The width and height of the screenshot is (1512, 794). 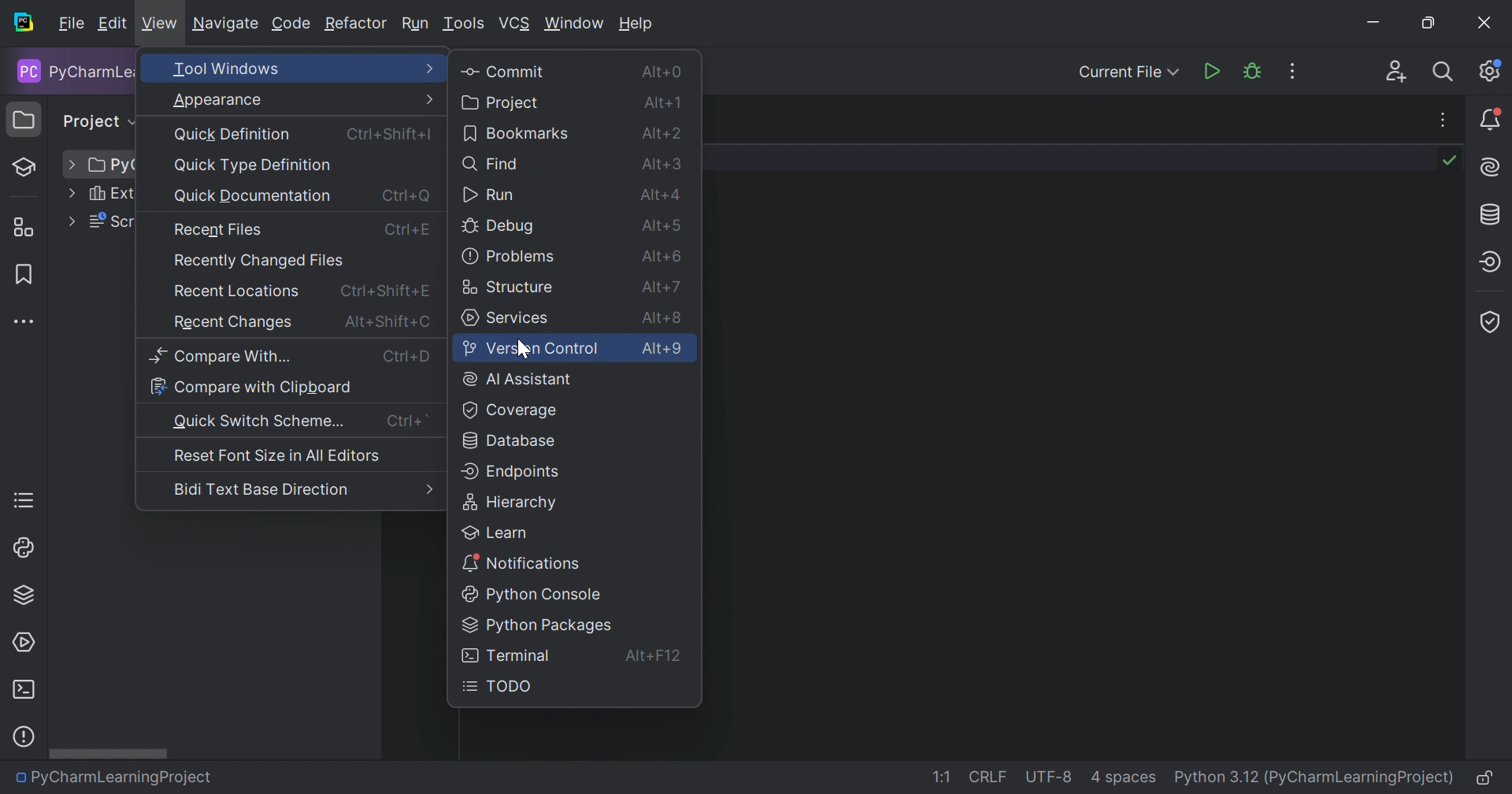 What do you see at coordinates (23, 737) in the screenshot?
I see `Help` at bounding box center [23, 737].